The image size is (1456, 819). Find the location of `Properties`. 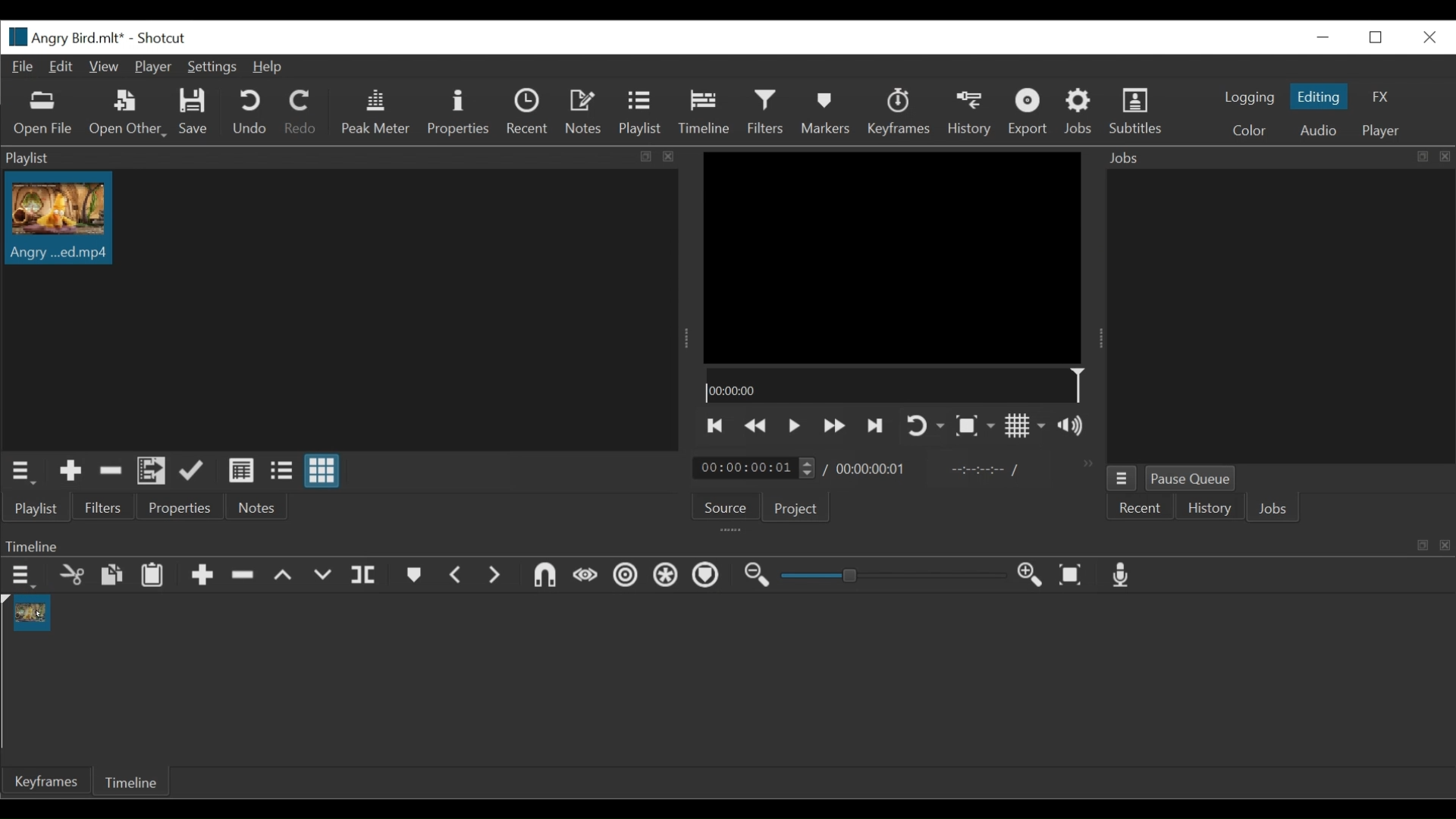

Properties is located at coordinates (178, 509).